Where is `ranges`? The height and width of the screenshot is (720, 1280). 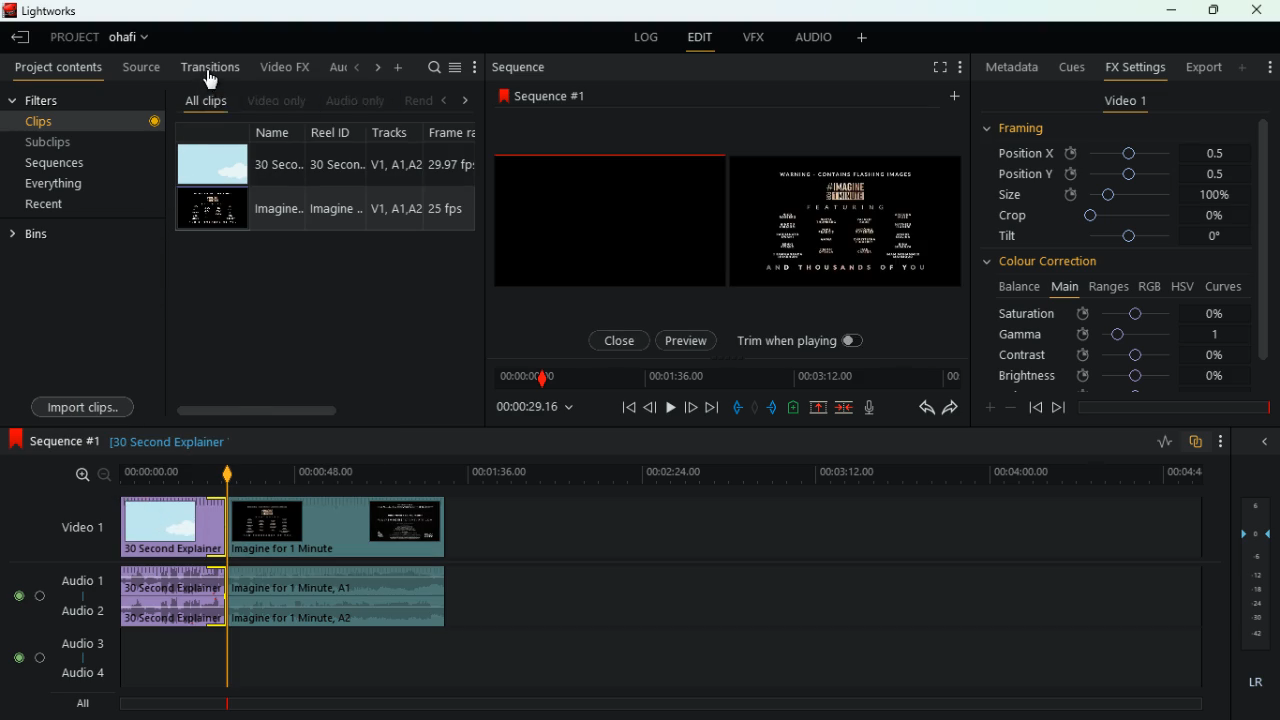 ranges is located at coordinates (1108, 286).